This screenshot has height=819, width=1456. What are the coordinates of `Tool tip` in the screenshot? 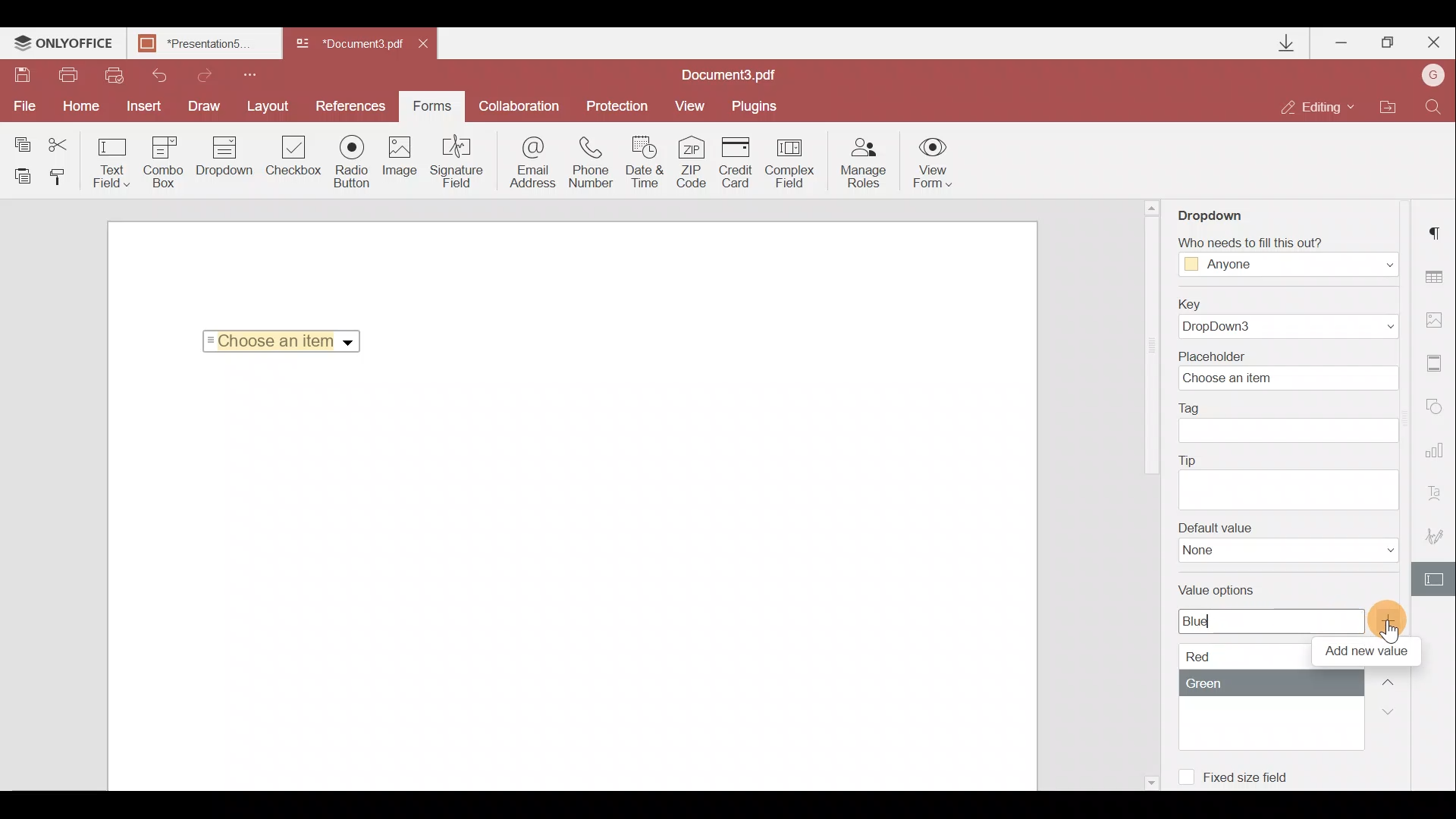 It's located at (1364, 650).